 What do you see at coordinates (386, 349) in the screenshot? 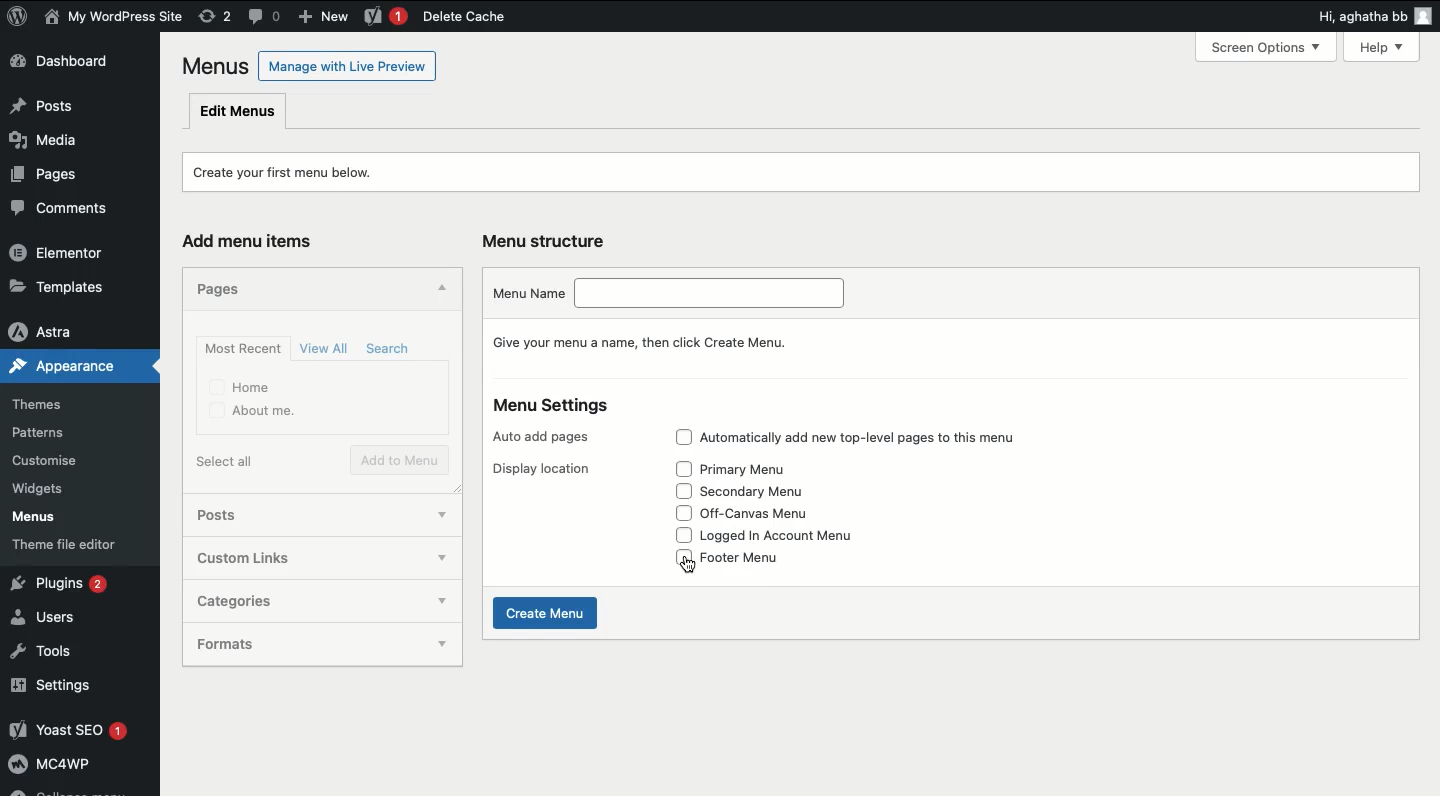
I see `Search` at bounding box center [386, 349].